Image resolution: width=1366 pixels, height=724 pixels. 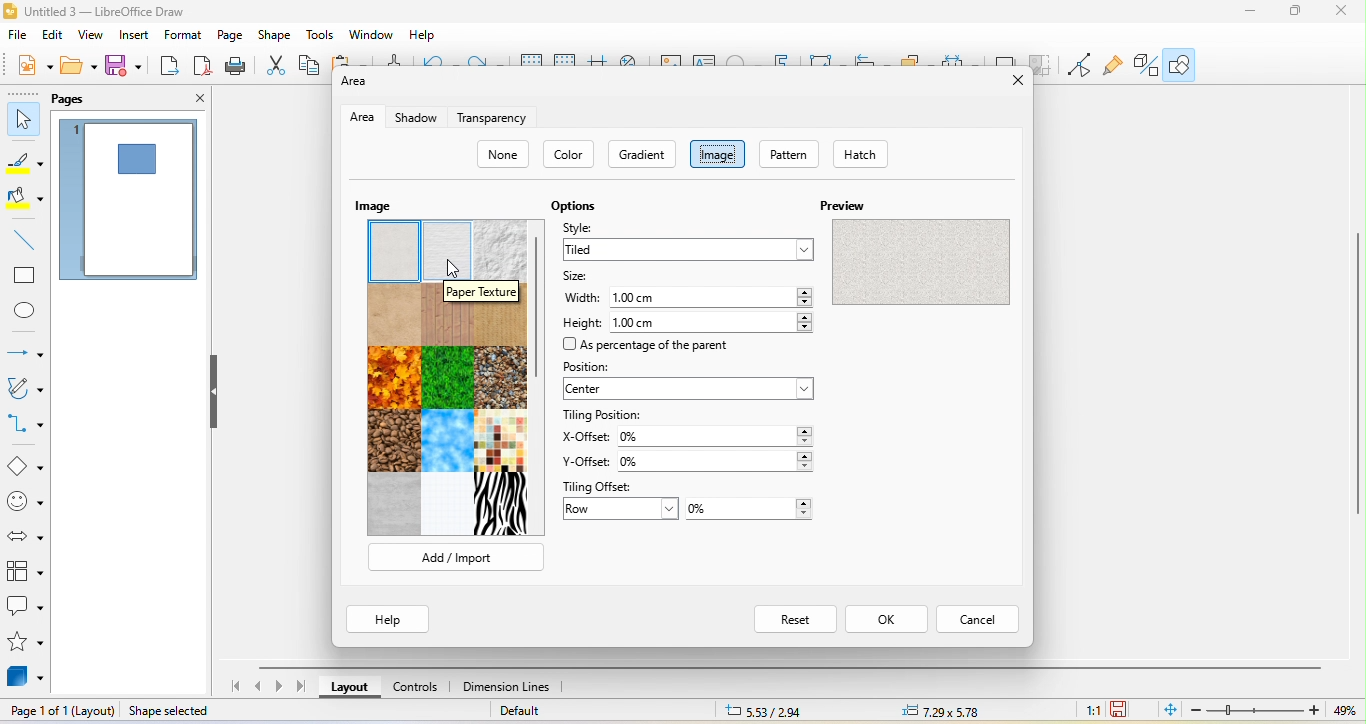 I want to click on file, so click(x=17, y=39).